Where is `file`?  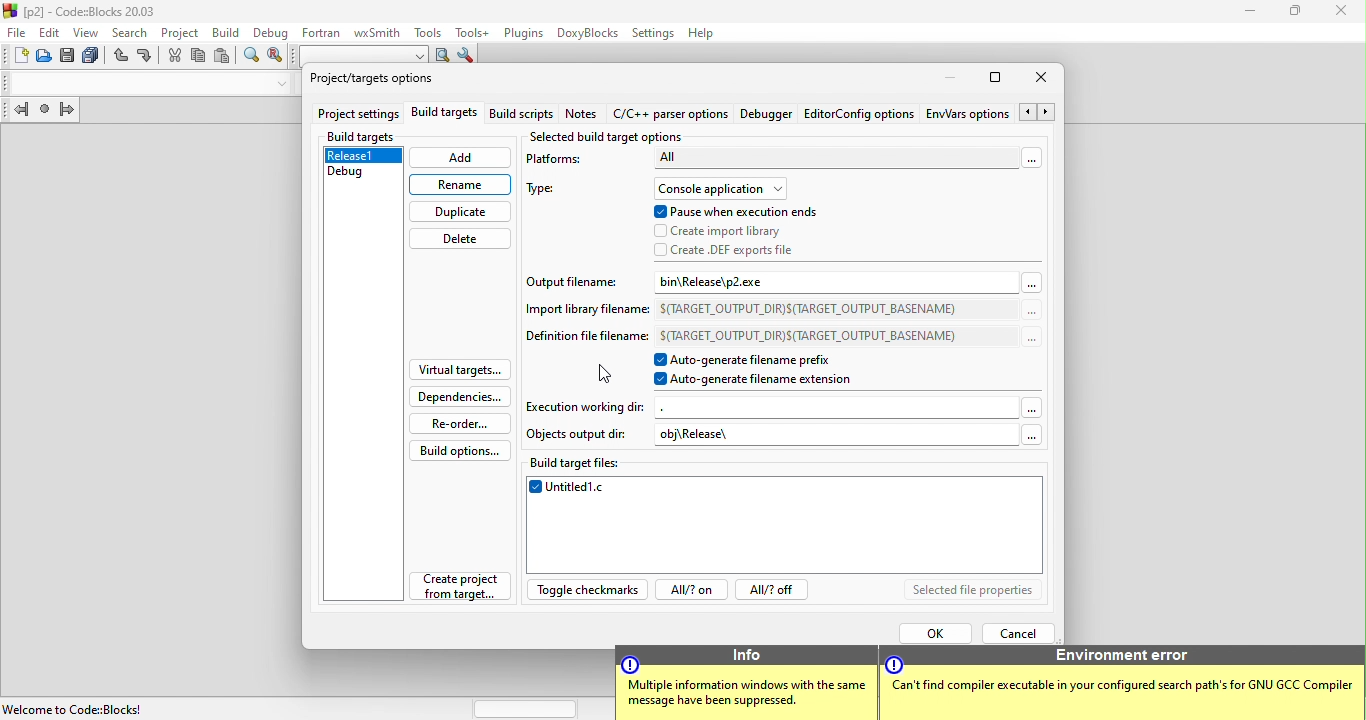
file is located at coordinates (15, 33).